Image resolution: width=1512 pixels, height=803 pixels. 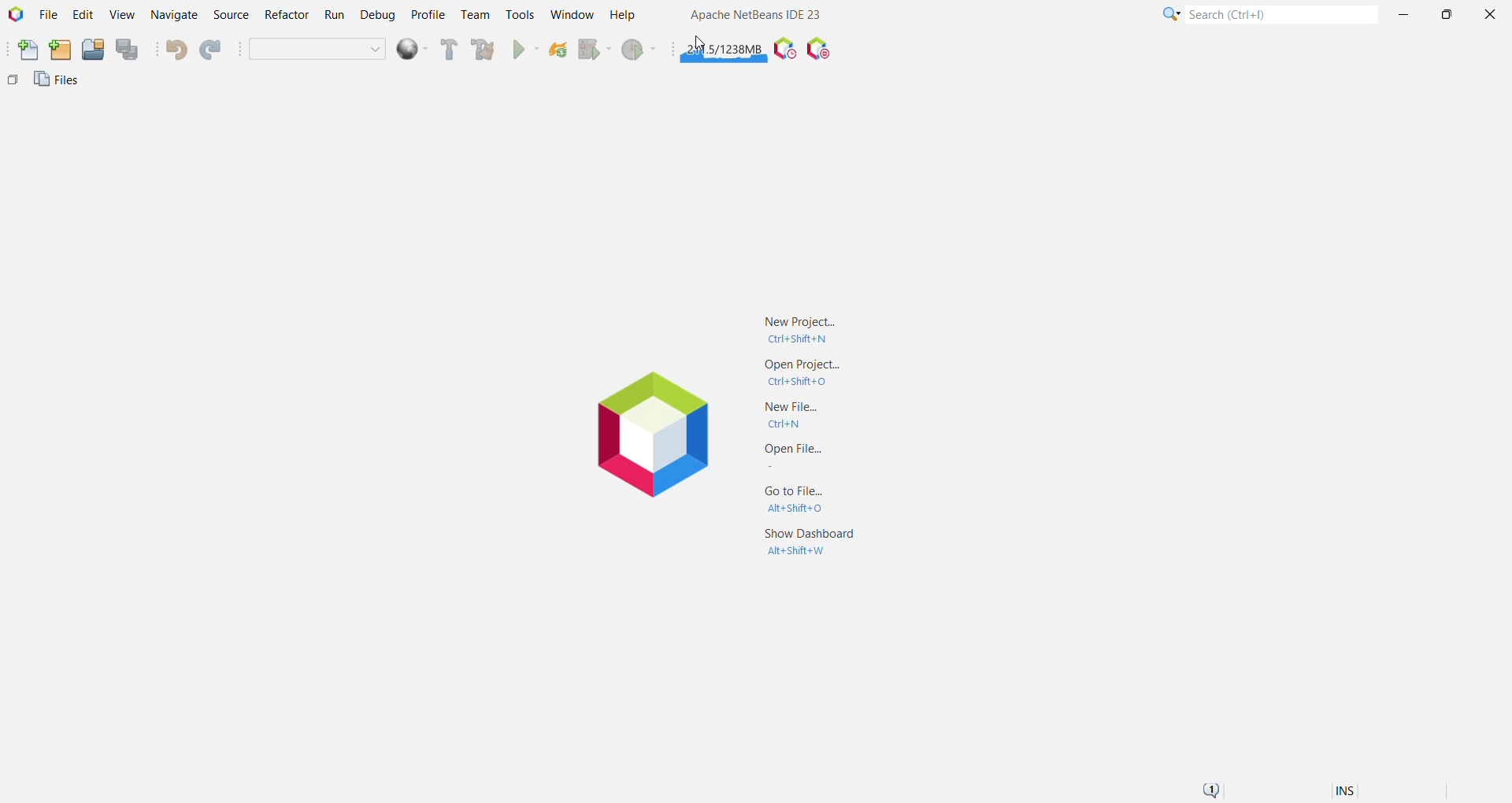 I want to click on Search, so click(x=1280, y=13).